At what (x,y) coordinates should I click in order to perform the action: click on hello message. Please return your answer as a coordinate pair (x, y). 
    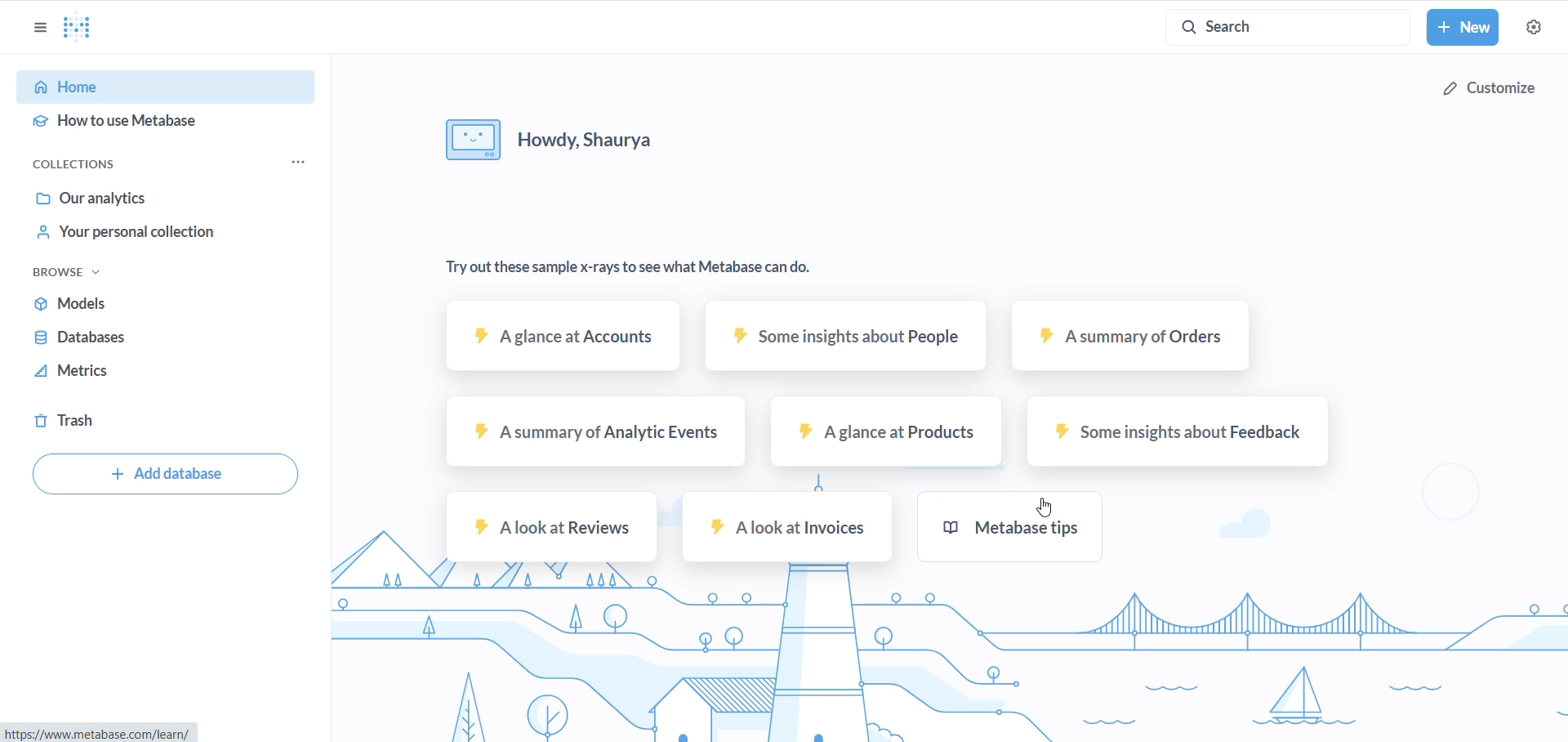
    Looking at the image, I should click on (569, 142).